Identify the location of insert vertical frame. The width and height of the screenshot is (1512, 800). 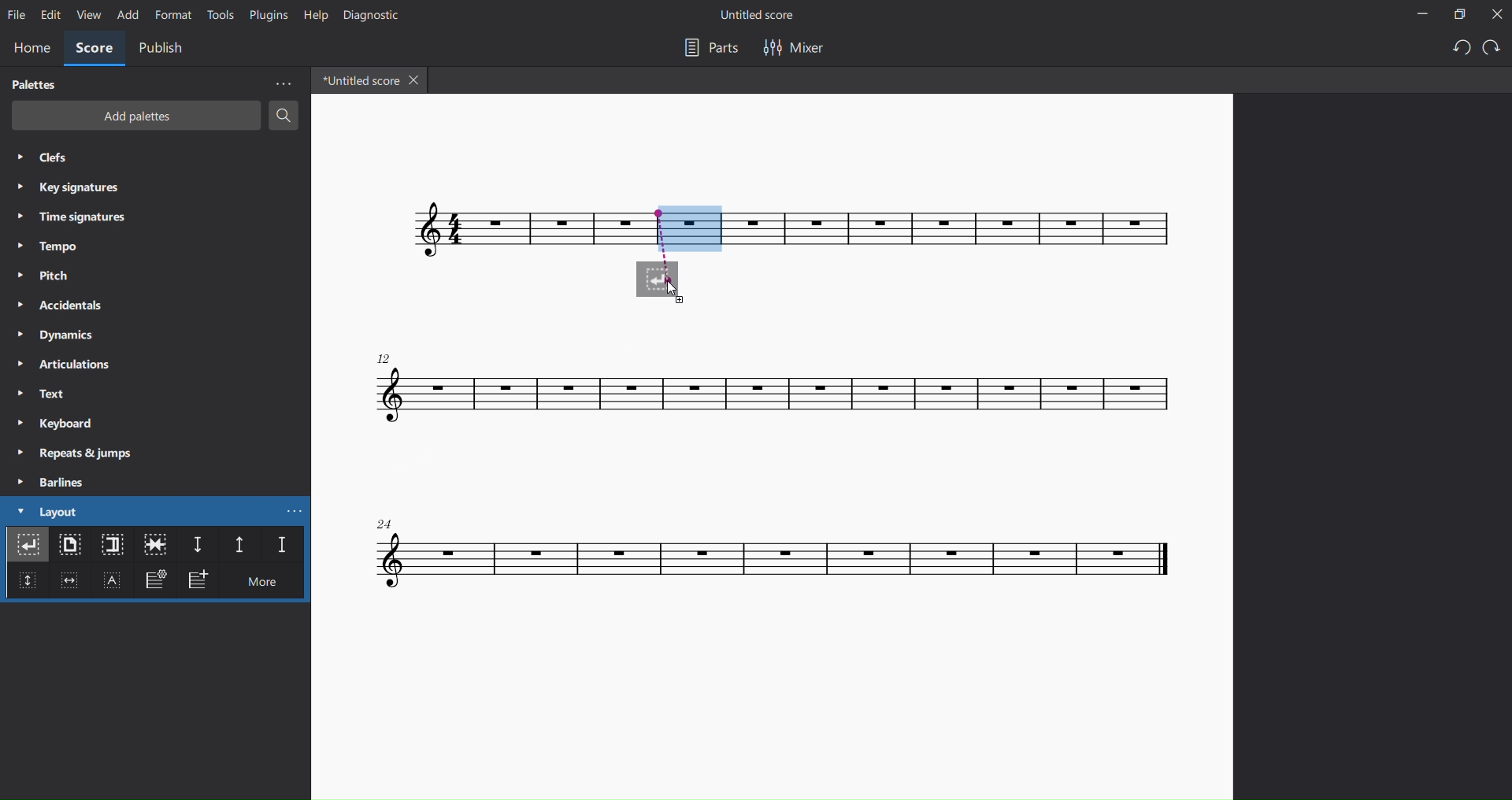
(25, 587).